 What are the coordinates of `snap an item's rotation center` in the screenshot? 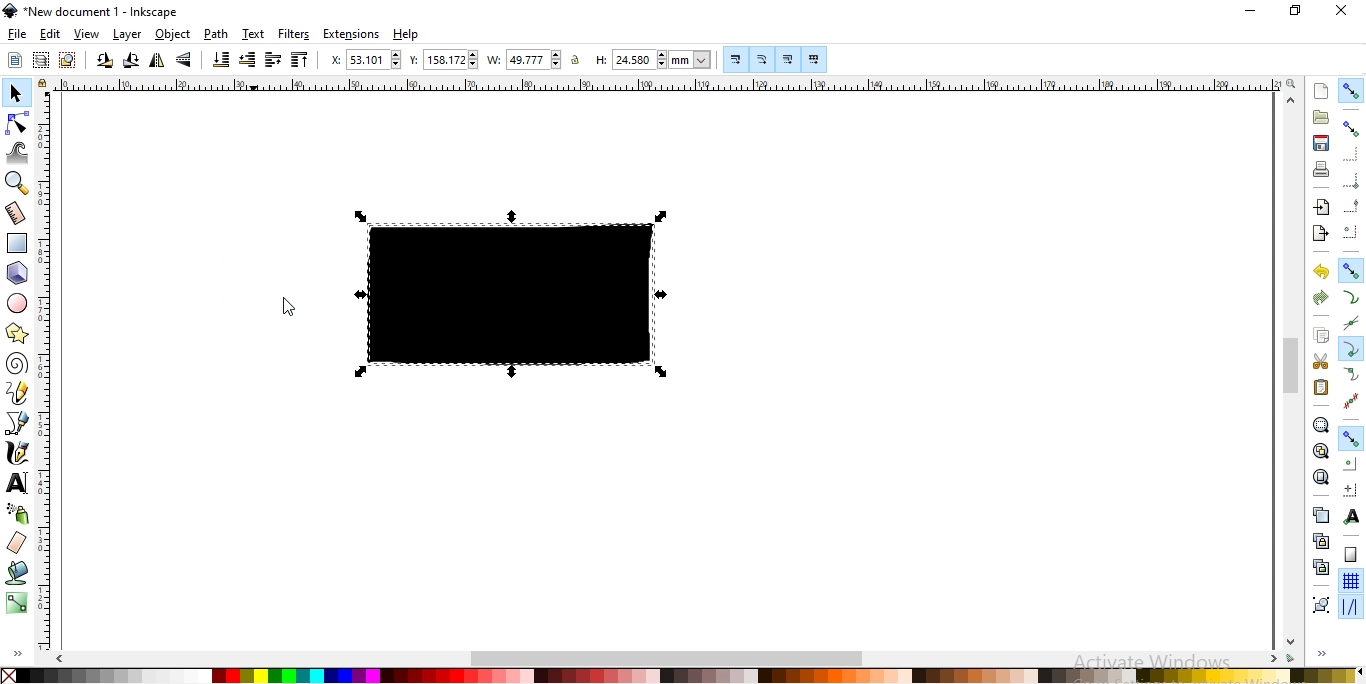 It's located at (1350, 489).